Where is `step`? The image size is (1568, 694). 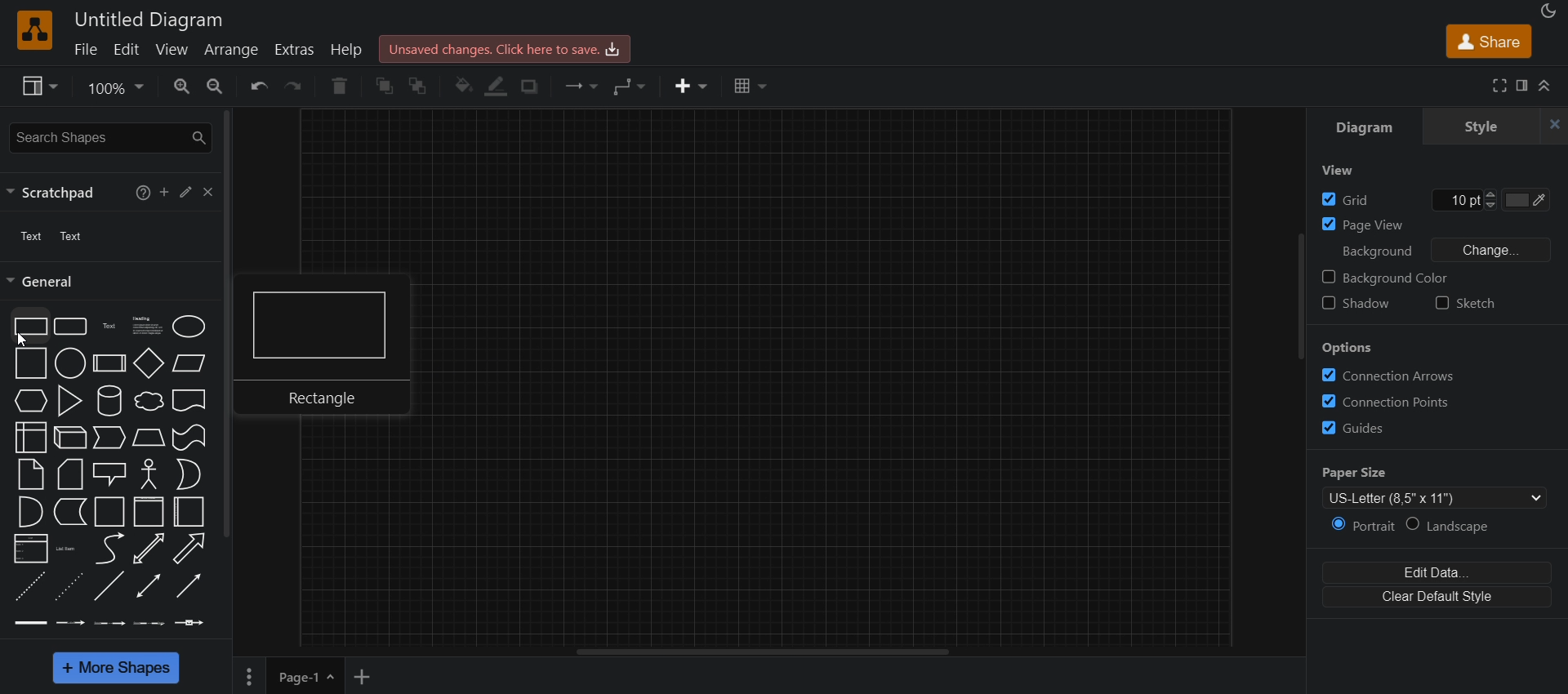 step is located at coordinates (108, 438).